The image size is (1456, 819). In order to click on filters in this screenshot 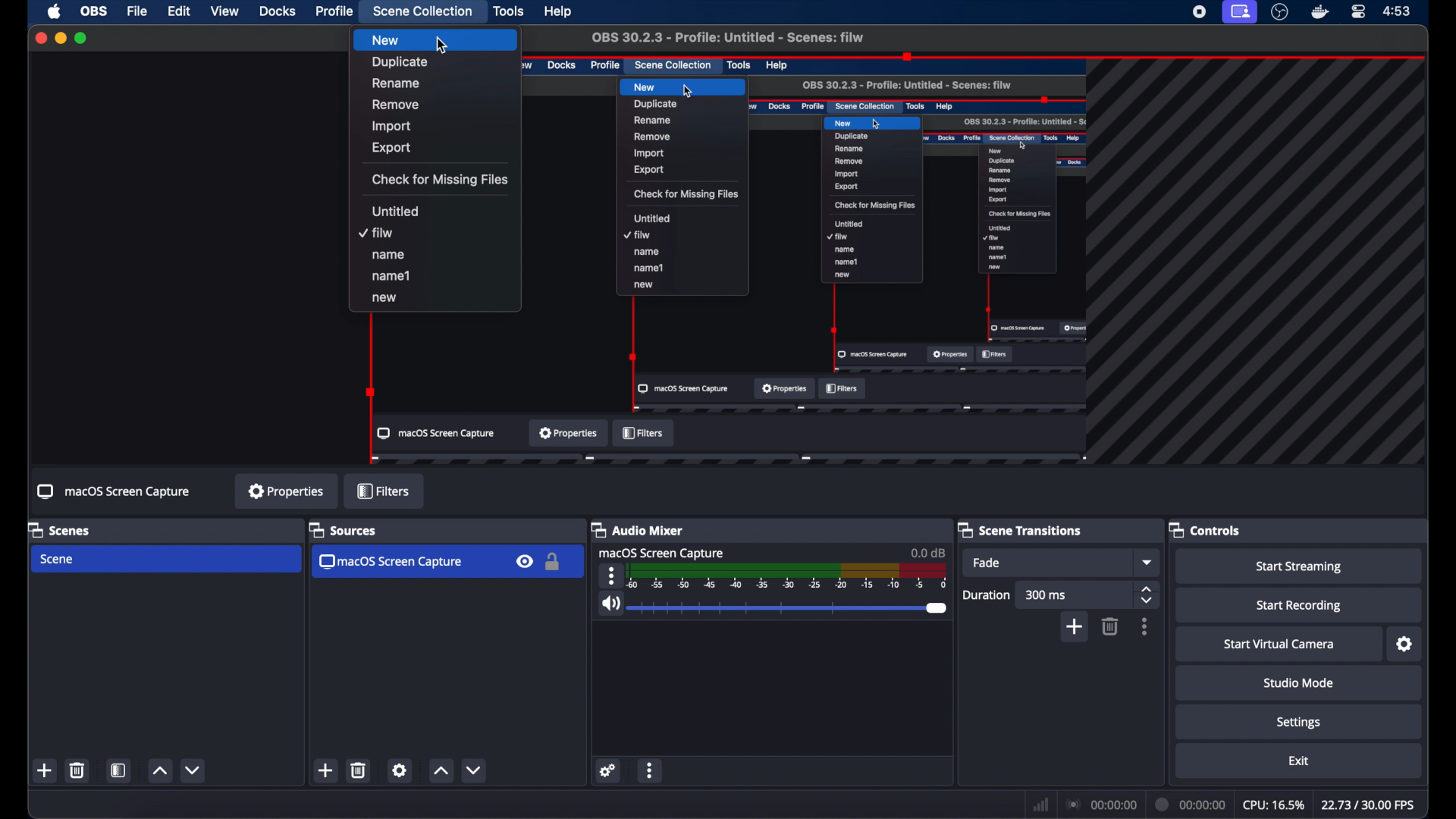, I will do `click(385, 491)`.